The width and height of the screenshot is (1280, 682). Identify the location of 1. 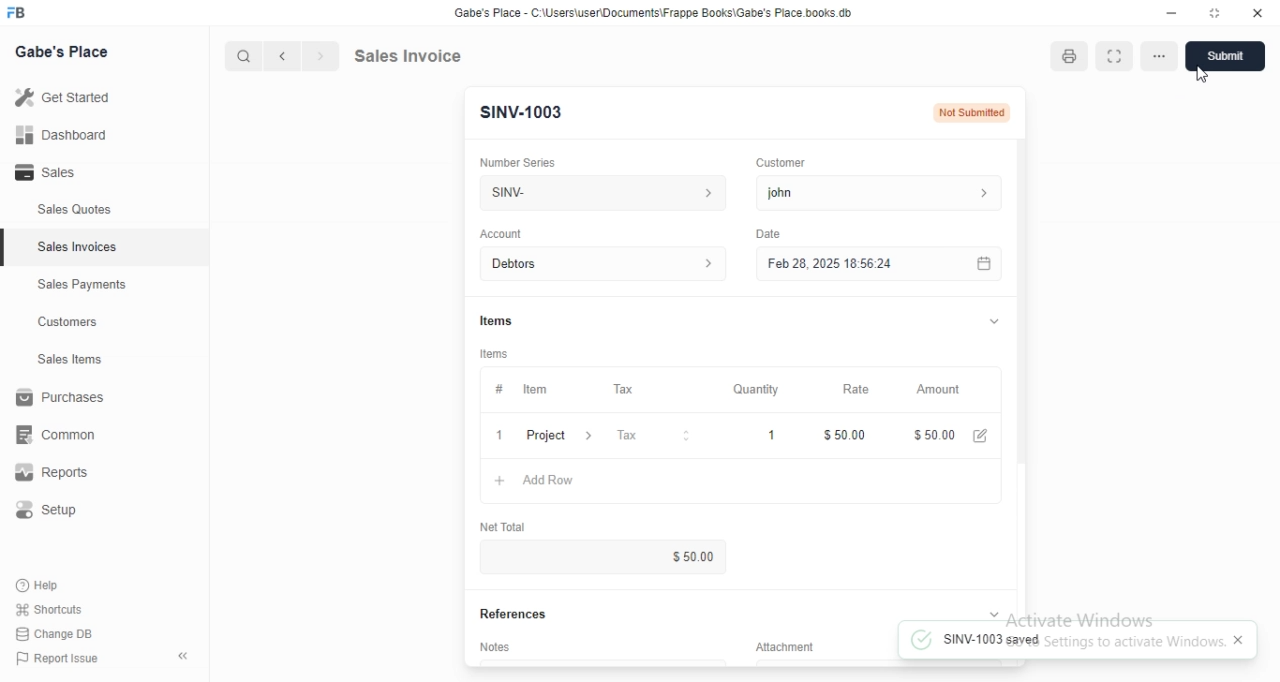
(773, 434).